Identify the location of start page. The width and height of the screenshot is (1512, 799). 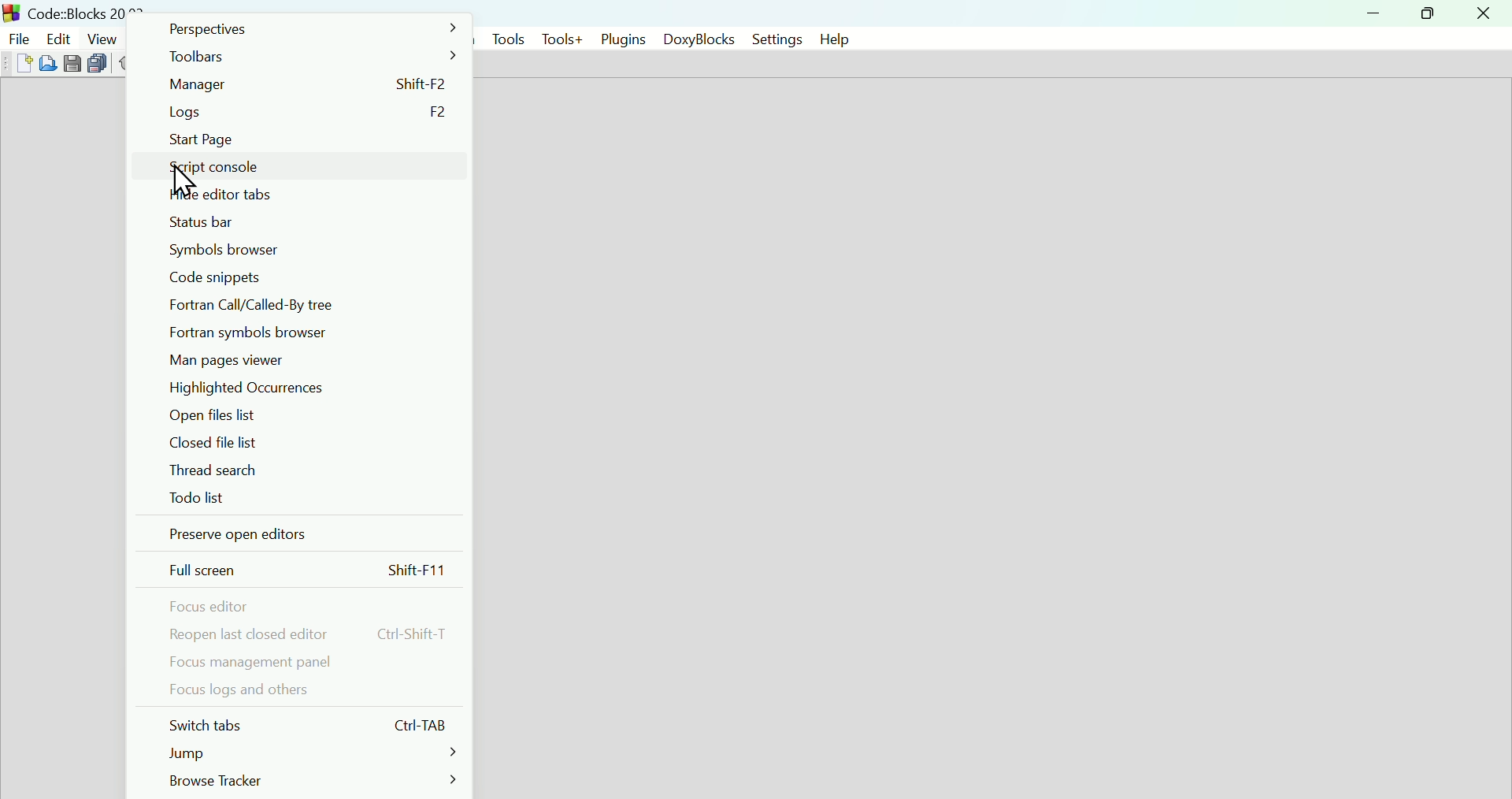
(306, 139).